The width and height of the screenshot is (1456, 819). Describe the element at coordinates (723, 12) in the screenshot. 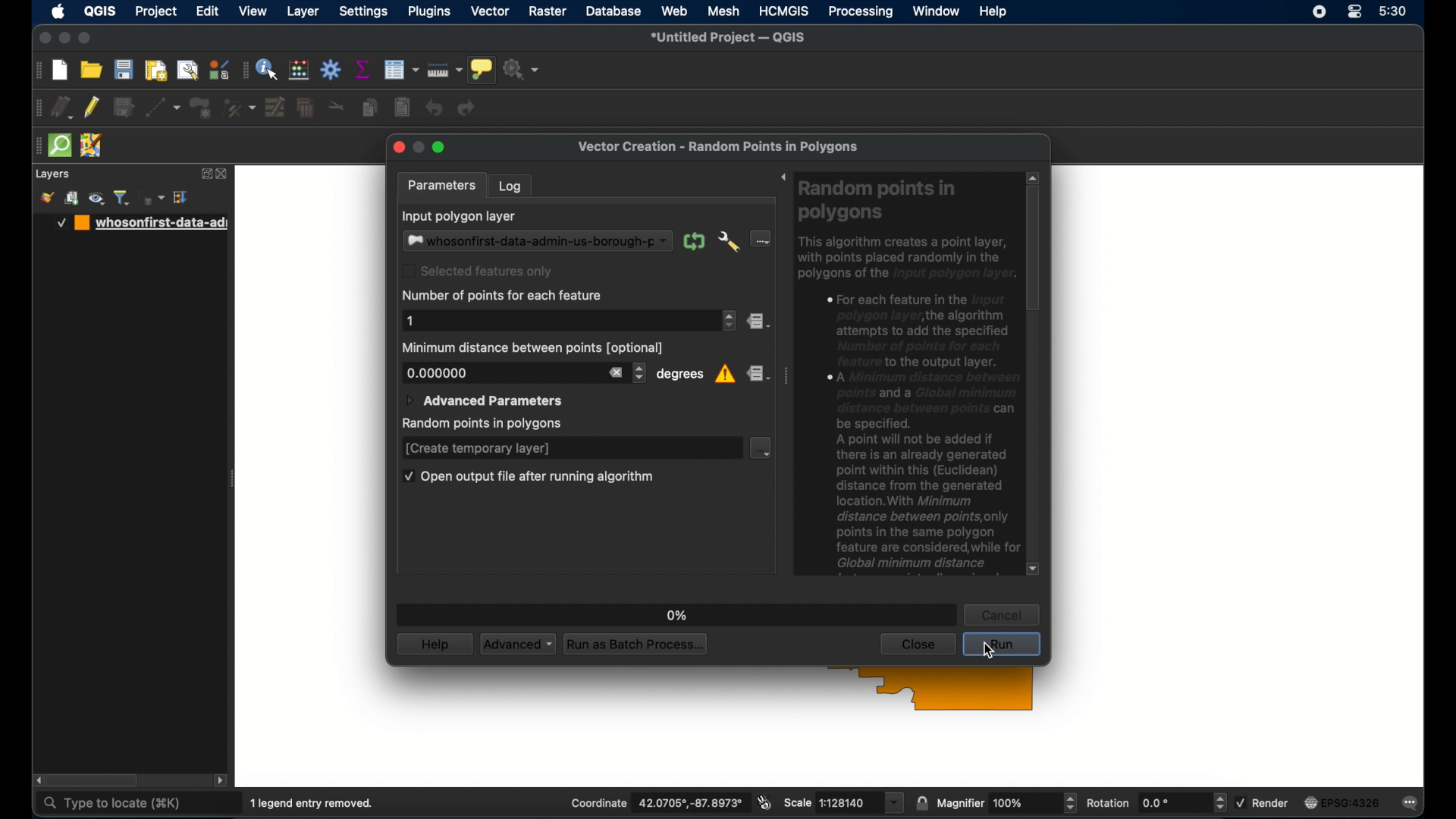

I see `mesh` at that location.